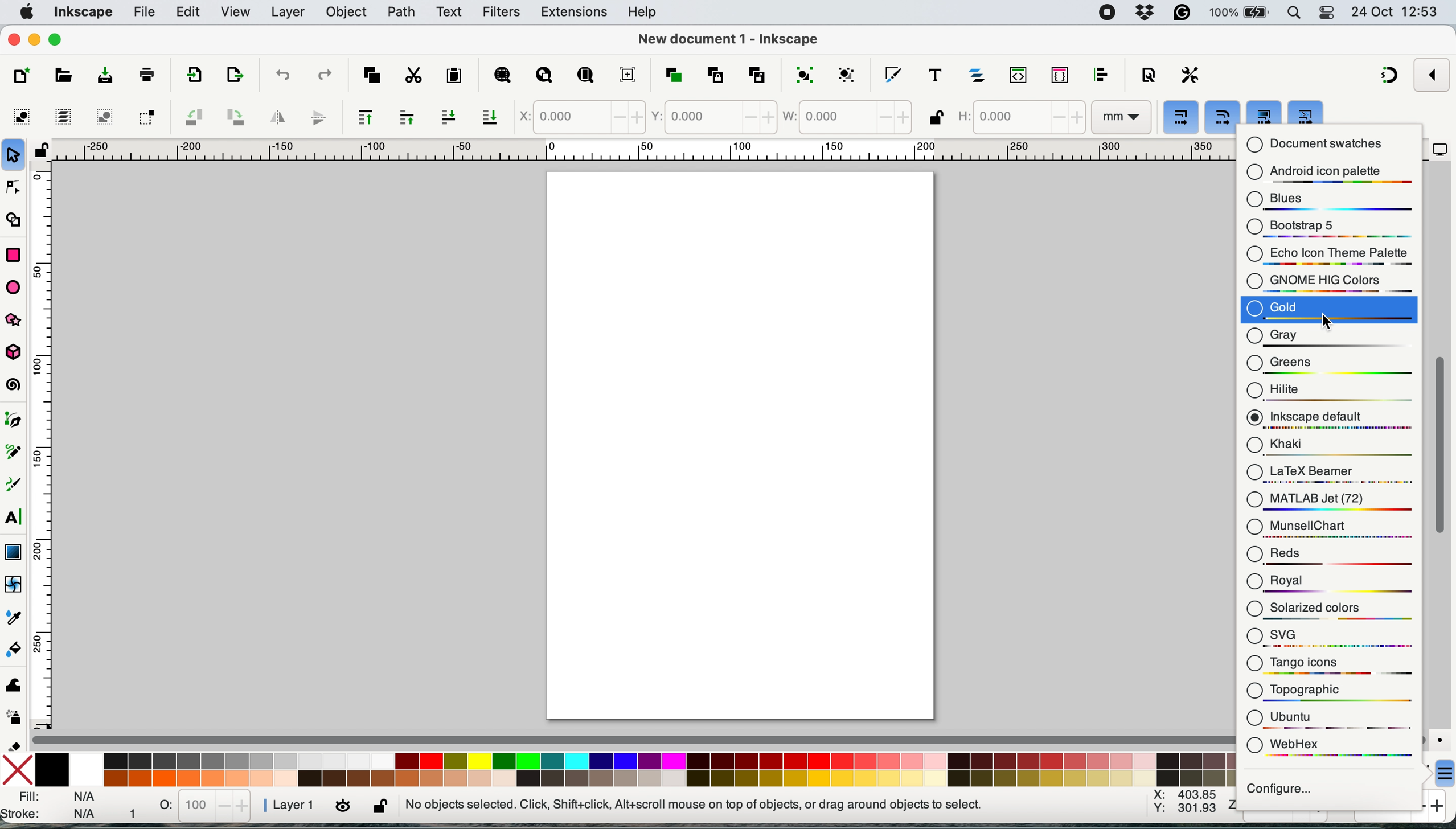 The image size is (1456, 829). I want to click on edit, so click(192, 14).